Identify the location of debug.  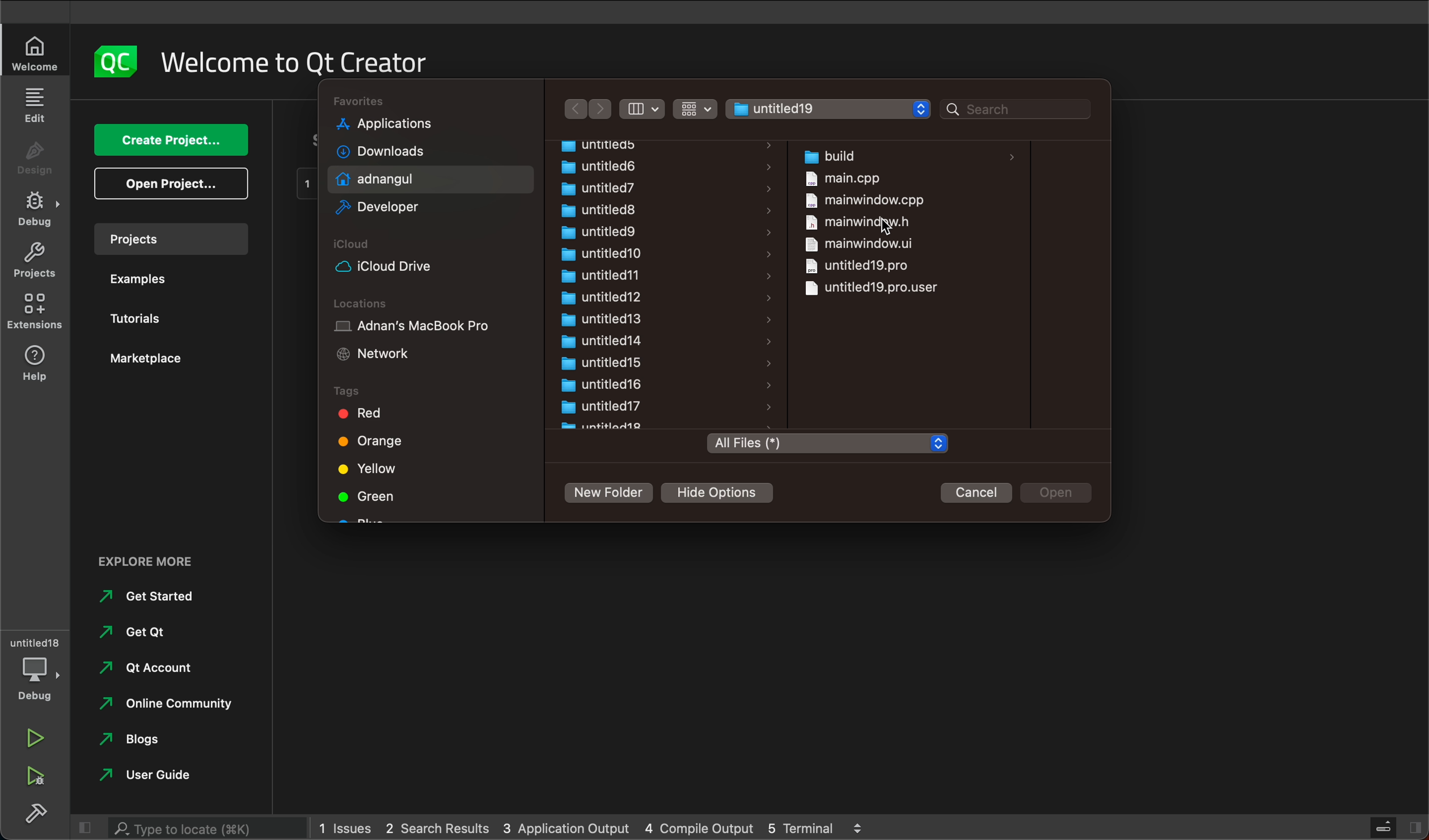
(40, 680).